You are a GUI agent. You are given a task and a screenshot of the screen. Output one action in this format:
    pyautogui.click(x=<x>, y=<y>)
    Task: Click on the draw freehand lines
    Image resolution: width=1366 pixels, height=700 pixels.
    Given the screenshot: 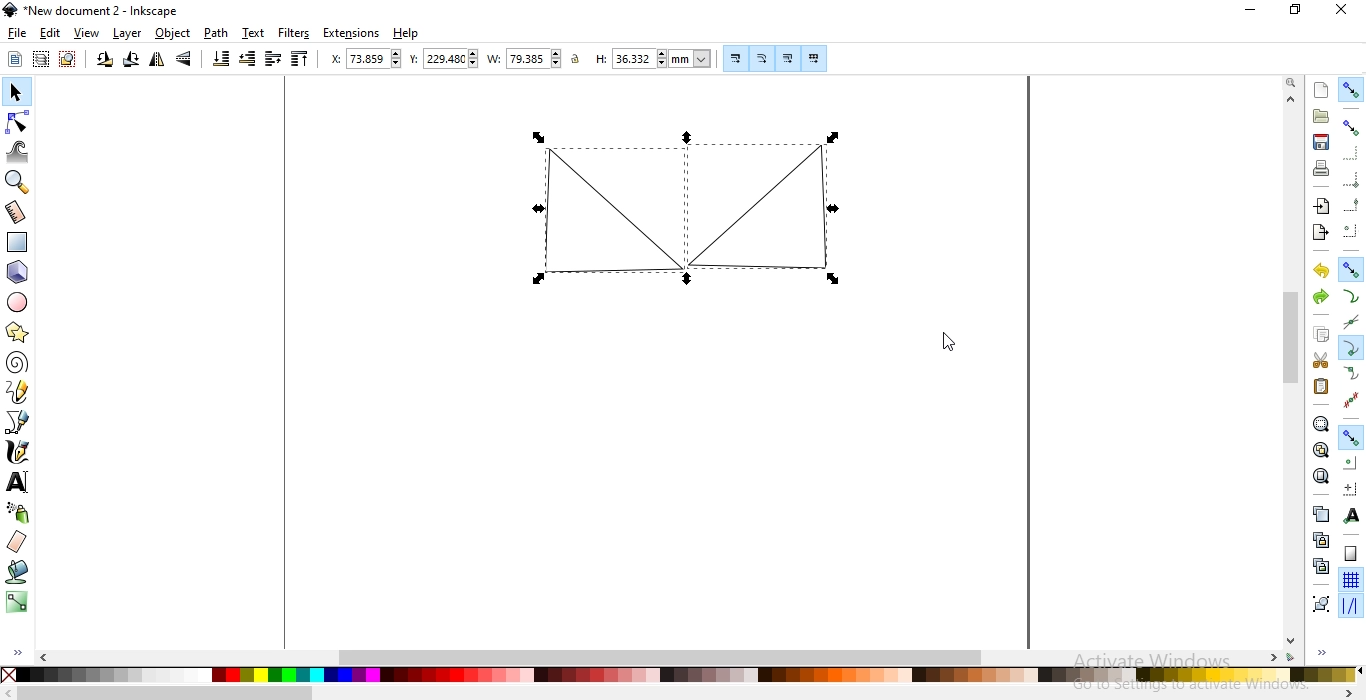 What is the action you would take?
    pyautogui.click(x=19, y=393)
    